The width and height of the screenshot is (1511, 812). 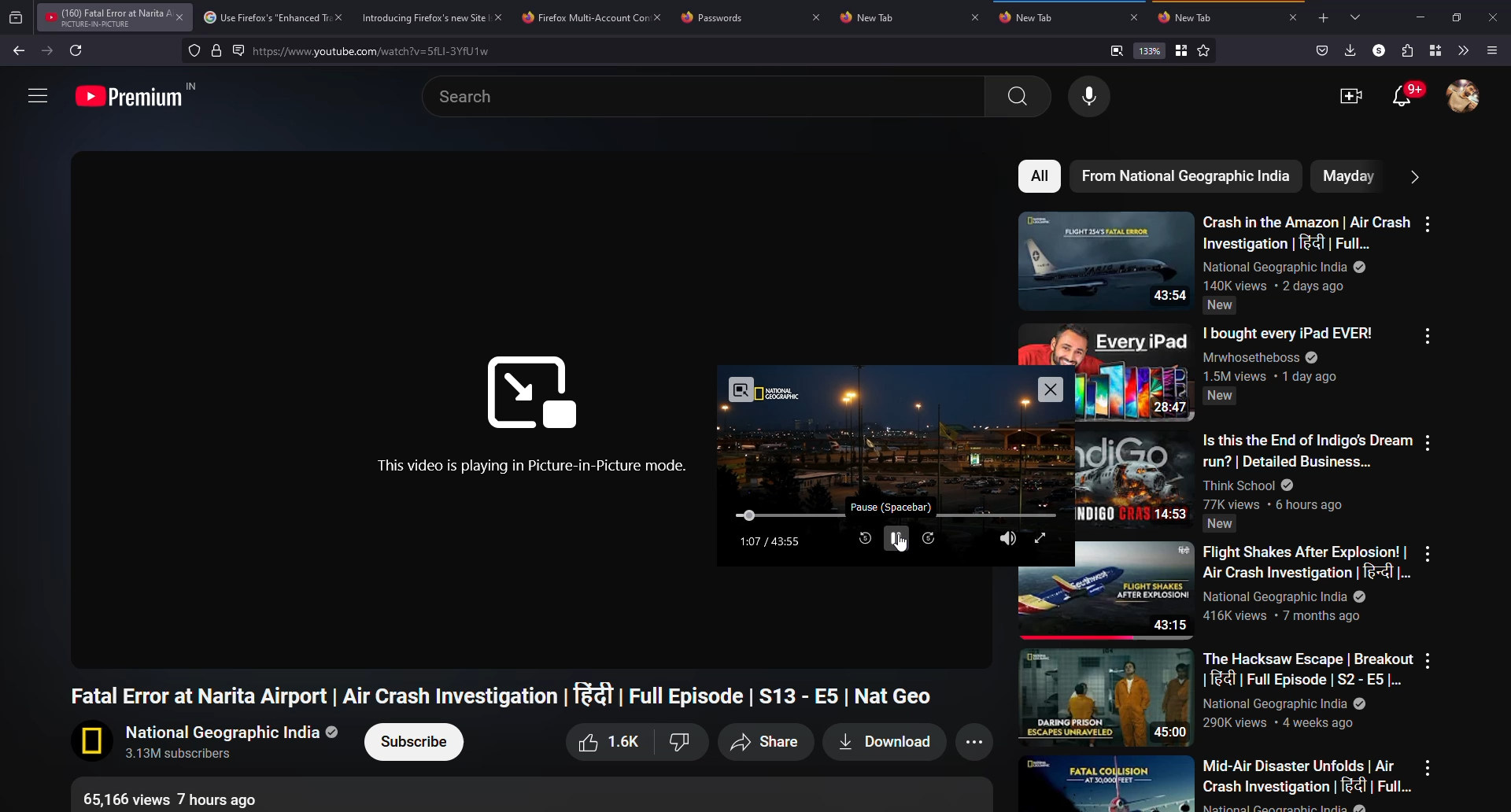 What do you see at coordinates (179, 798) in the screenshot?
I see `Video info` at bounding box center [179, 798].